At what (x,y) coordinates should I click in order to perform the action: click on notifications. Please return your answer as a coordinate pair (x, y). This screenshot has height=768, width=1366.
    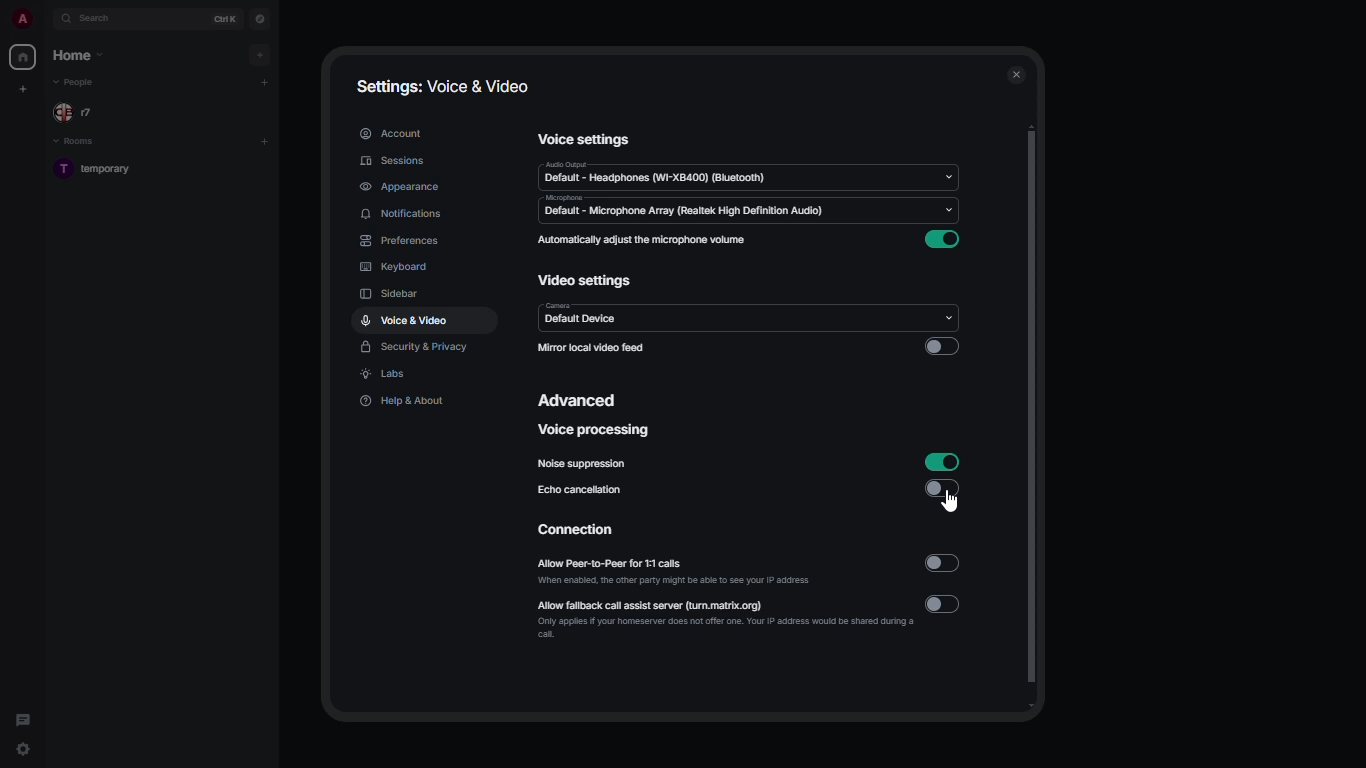
    Looking at the image, I should click on (405, 213).